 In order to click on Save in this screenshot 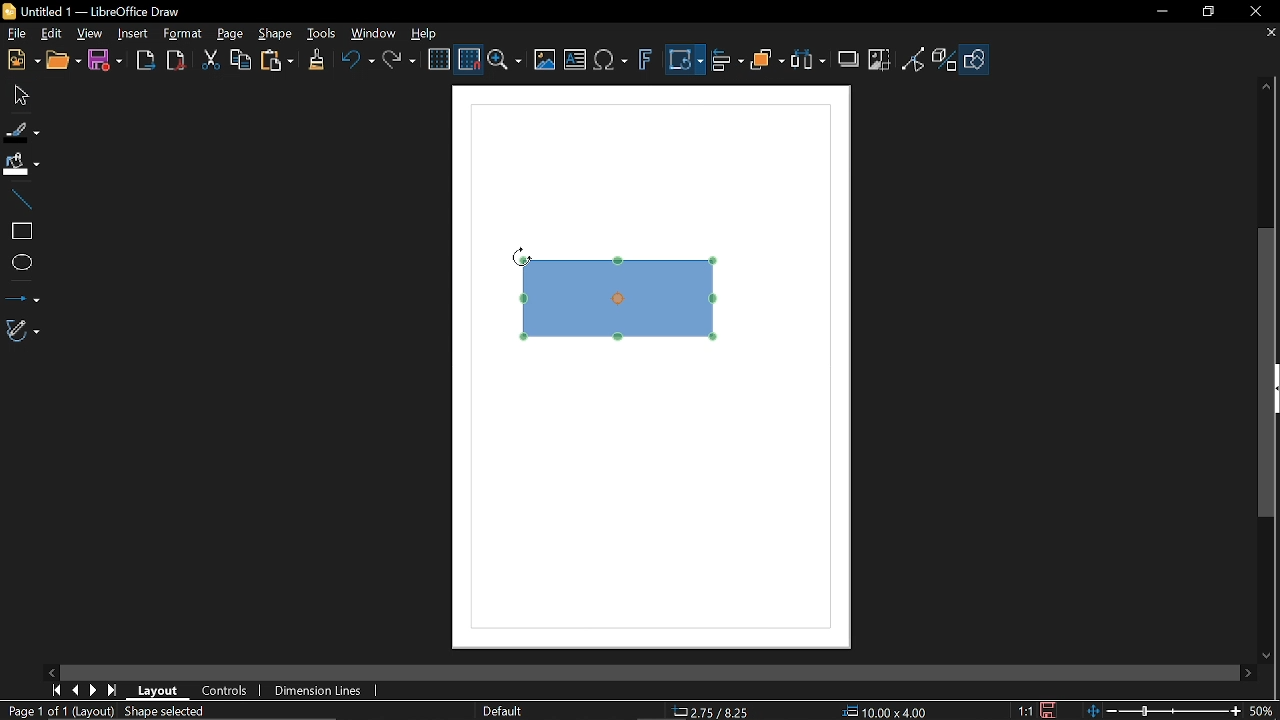, I will do `click(104, 62)`.